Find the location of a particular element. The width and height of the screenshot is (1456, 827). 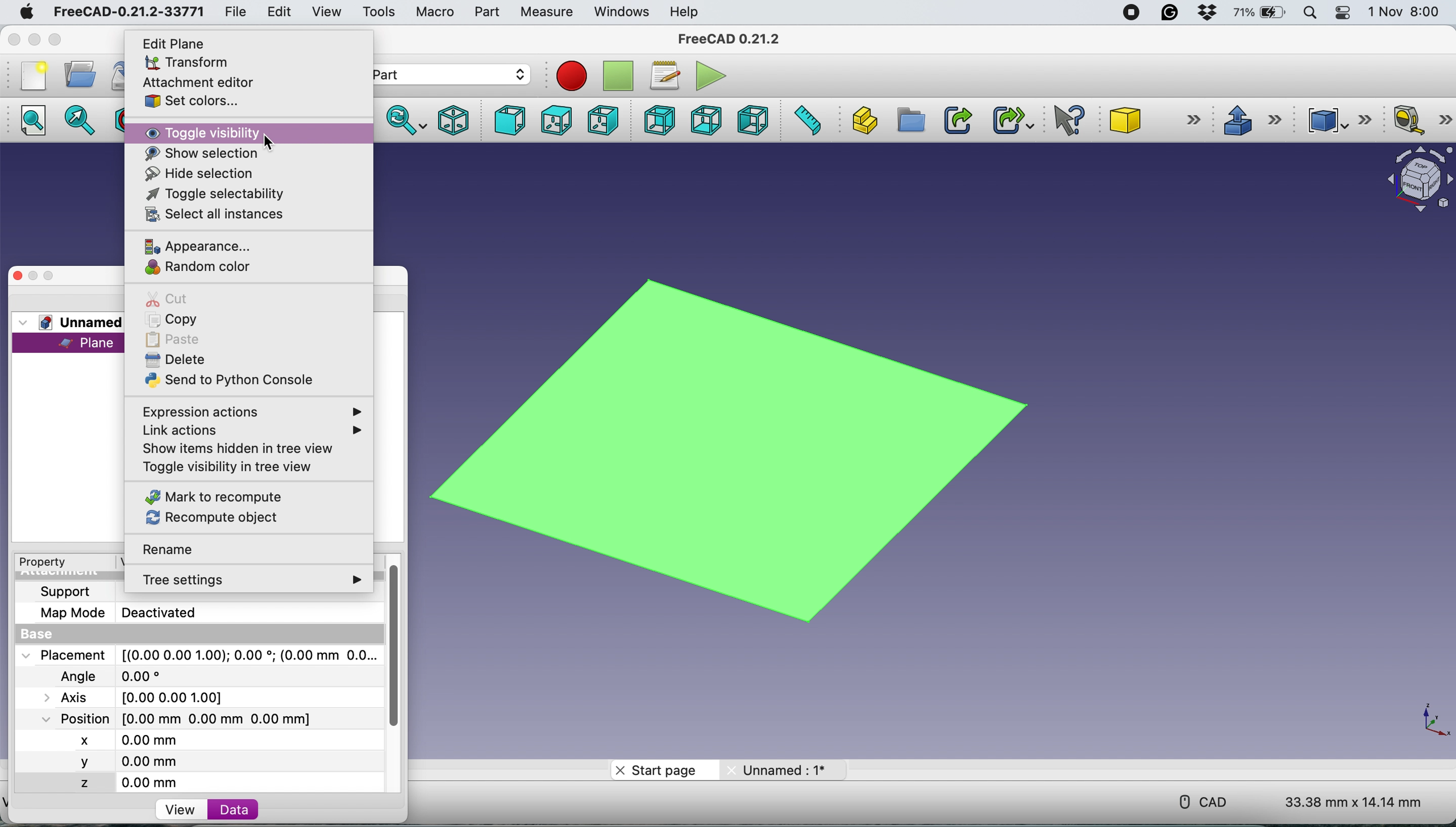

expression actions is located at coordinates (253, 409).